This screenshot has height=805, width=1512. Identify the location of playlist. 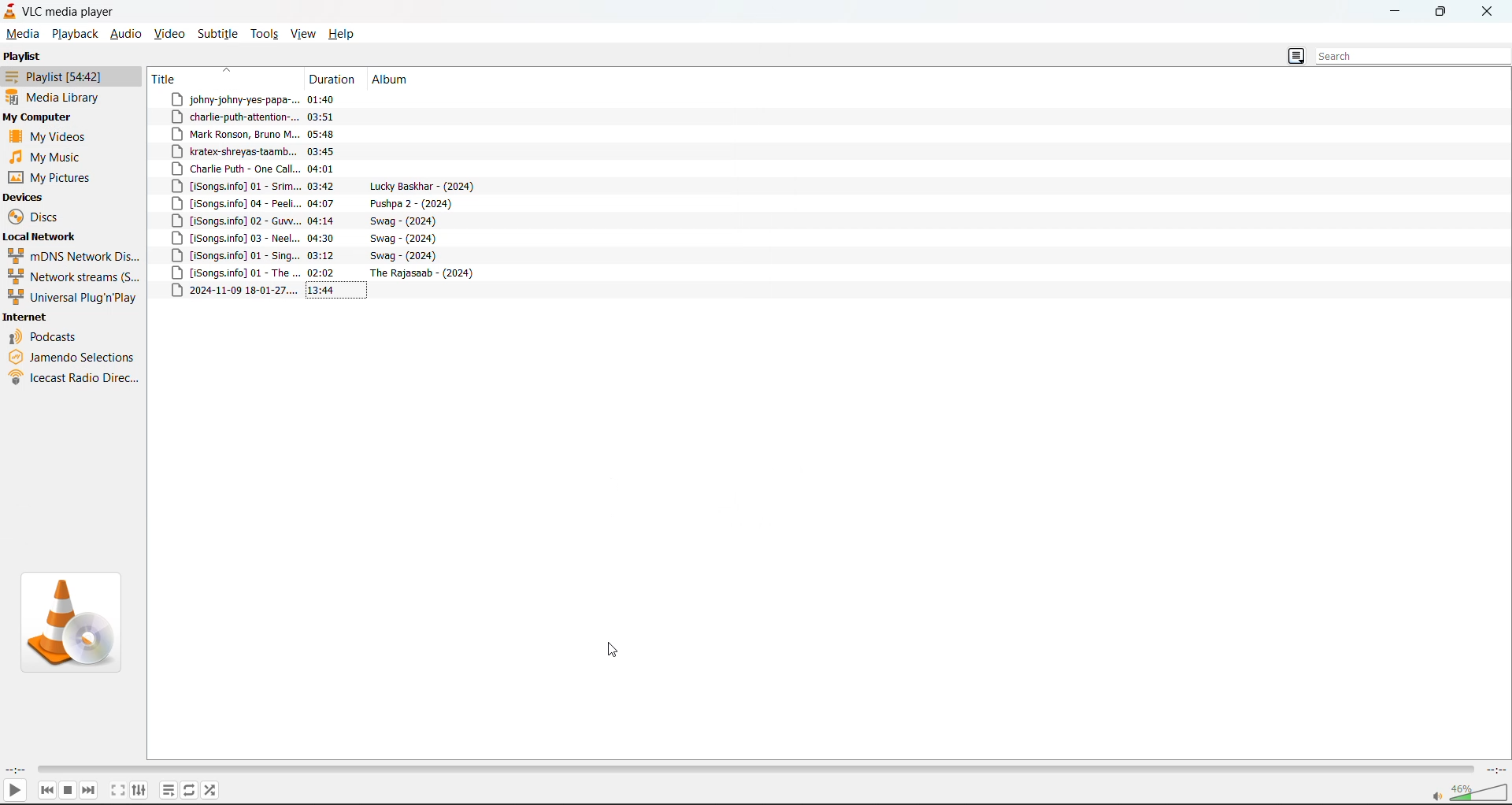
(23, 57).